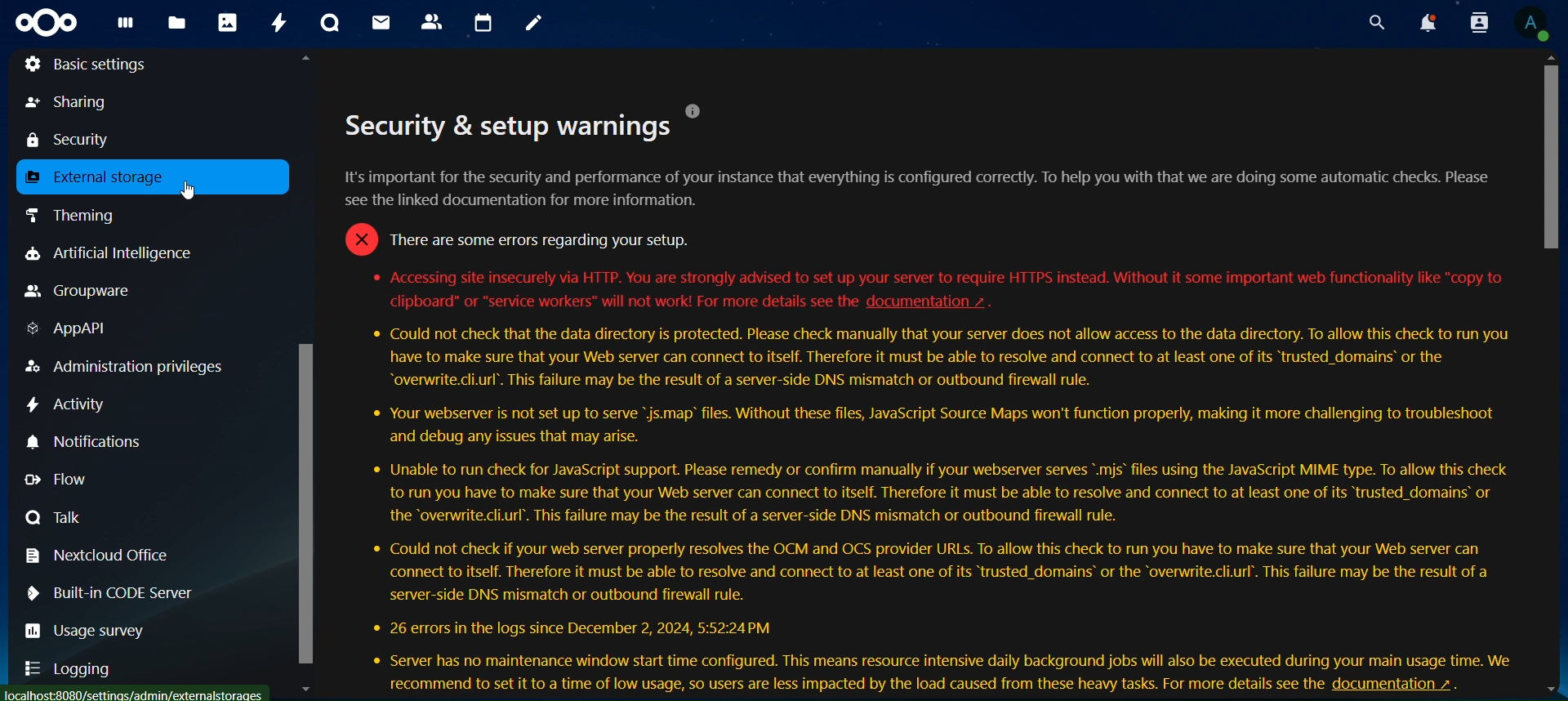 This screenshot has width=1568, height=701. What do you see at coordinates (127, 26) in the screenshot?
I see `dashboard` at bounding box center [127, 26].